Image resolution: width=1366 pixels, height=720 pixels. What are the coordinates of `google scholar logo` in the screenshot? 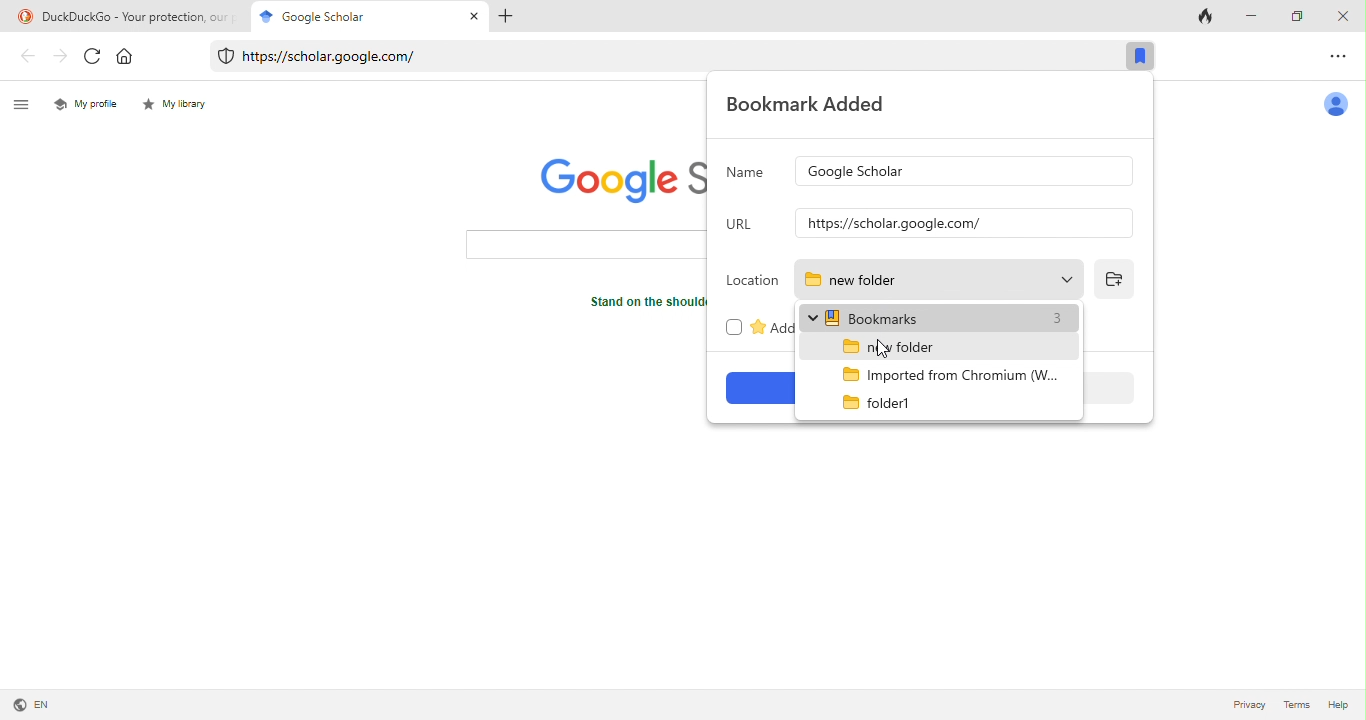 It's located at (614, 180).